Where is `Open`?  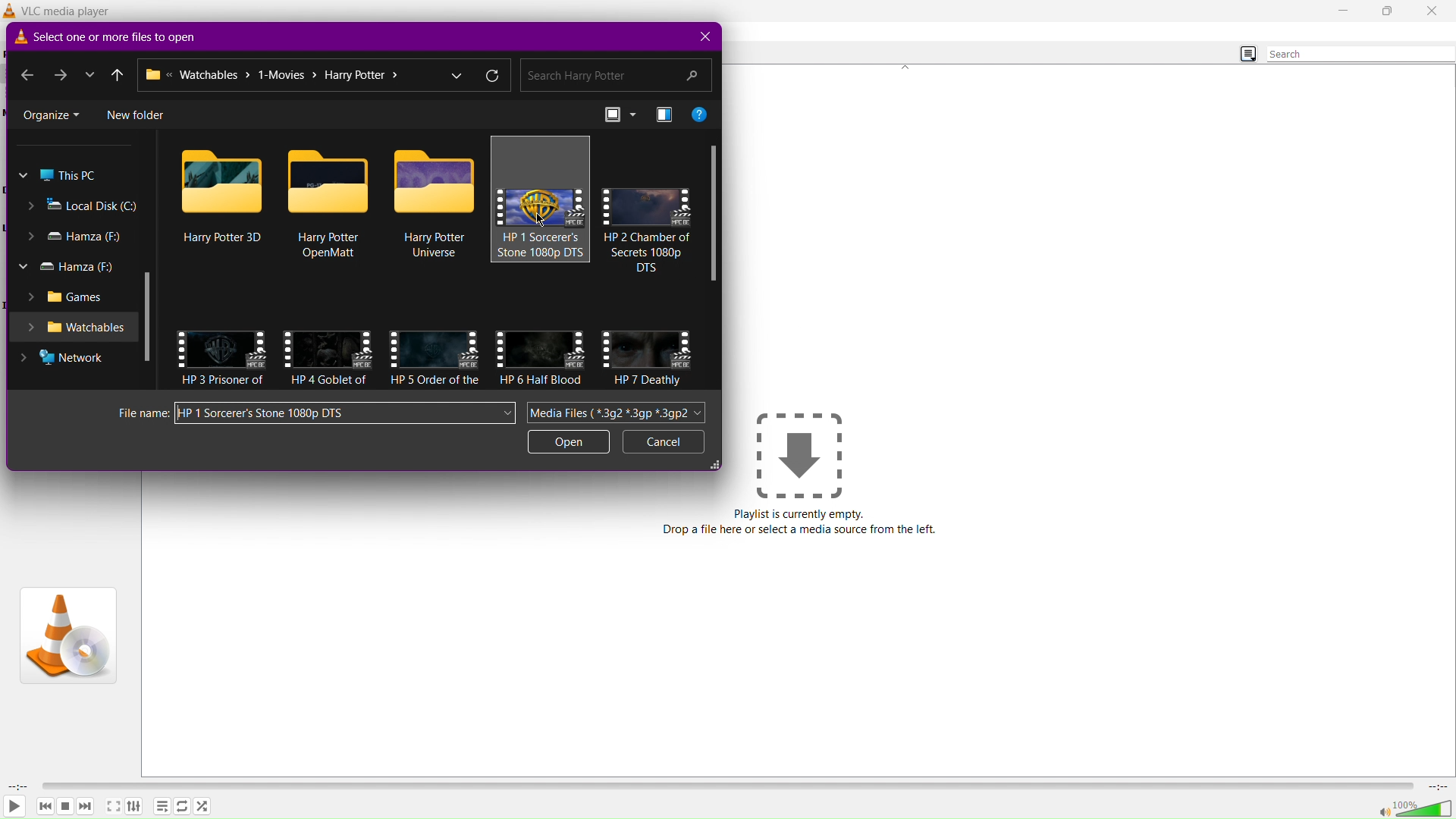
Open is located at coordinates (570, 443).